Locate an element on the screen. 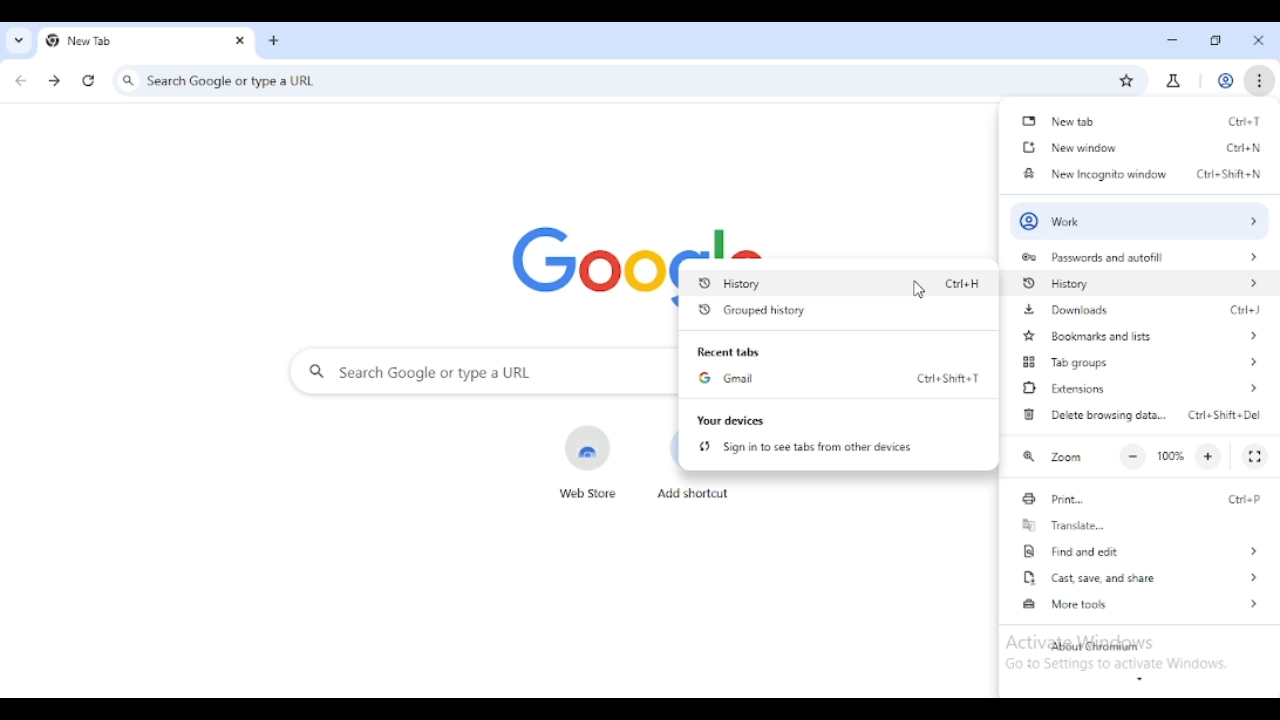  click to go forward is located at coordinates (54, 81).